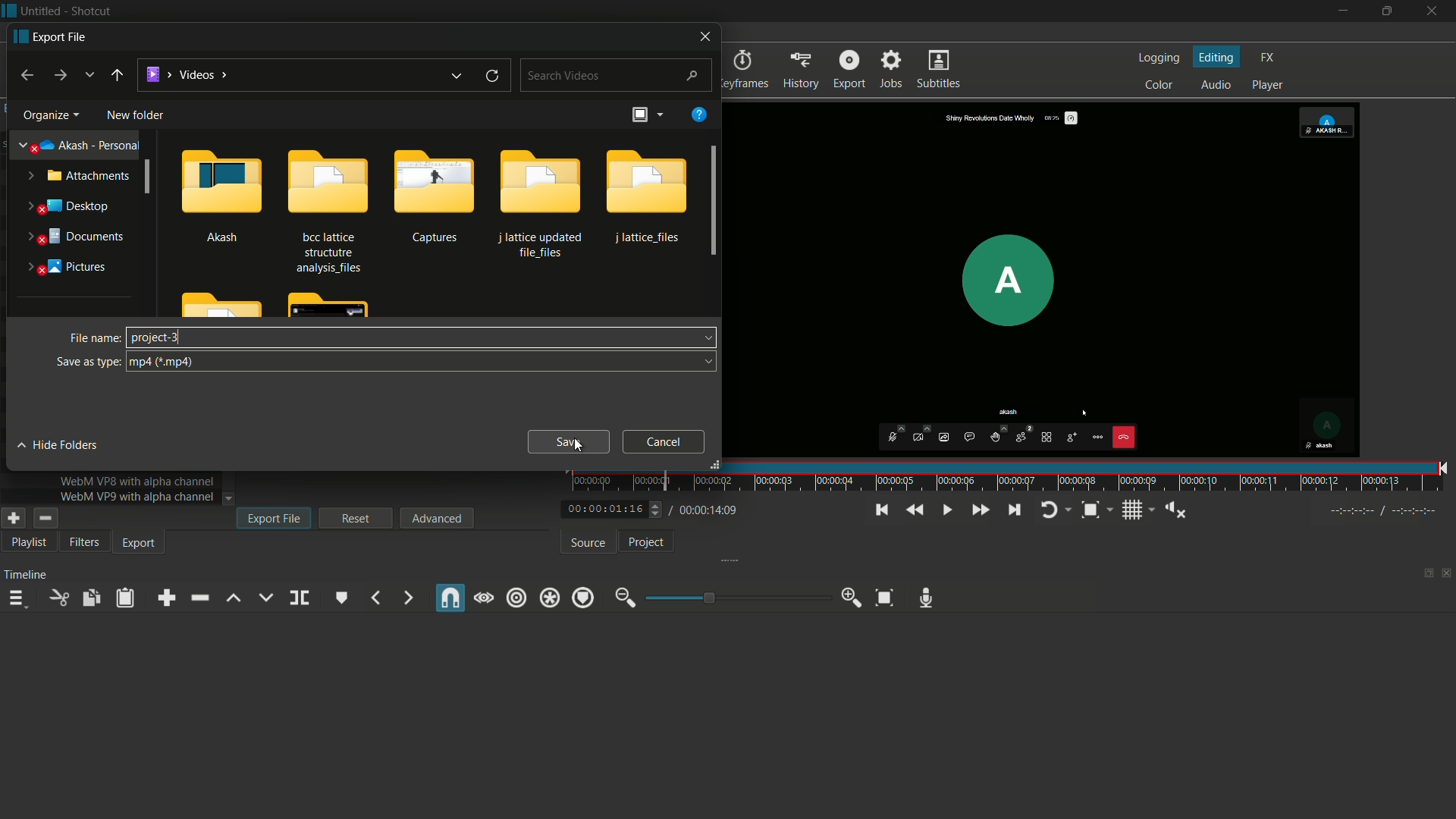 This screenshot has width=1456, height=819. Describe the element at coordinates (299, 598) in the screenshot. I see `split at playhead` at that location.